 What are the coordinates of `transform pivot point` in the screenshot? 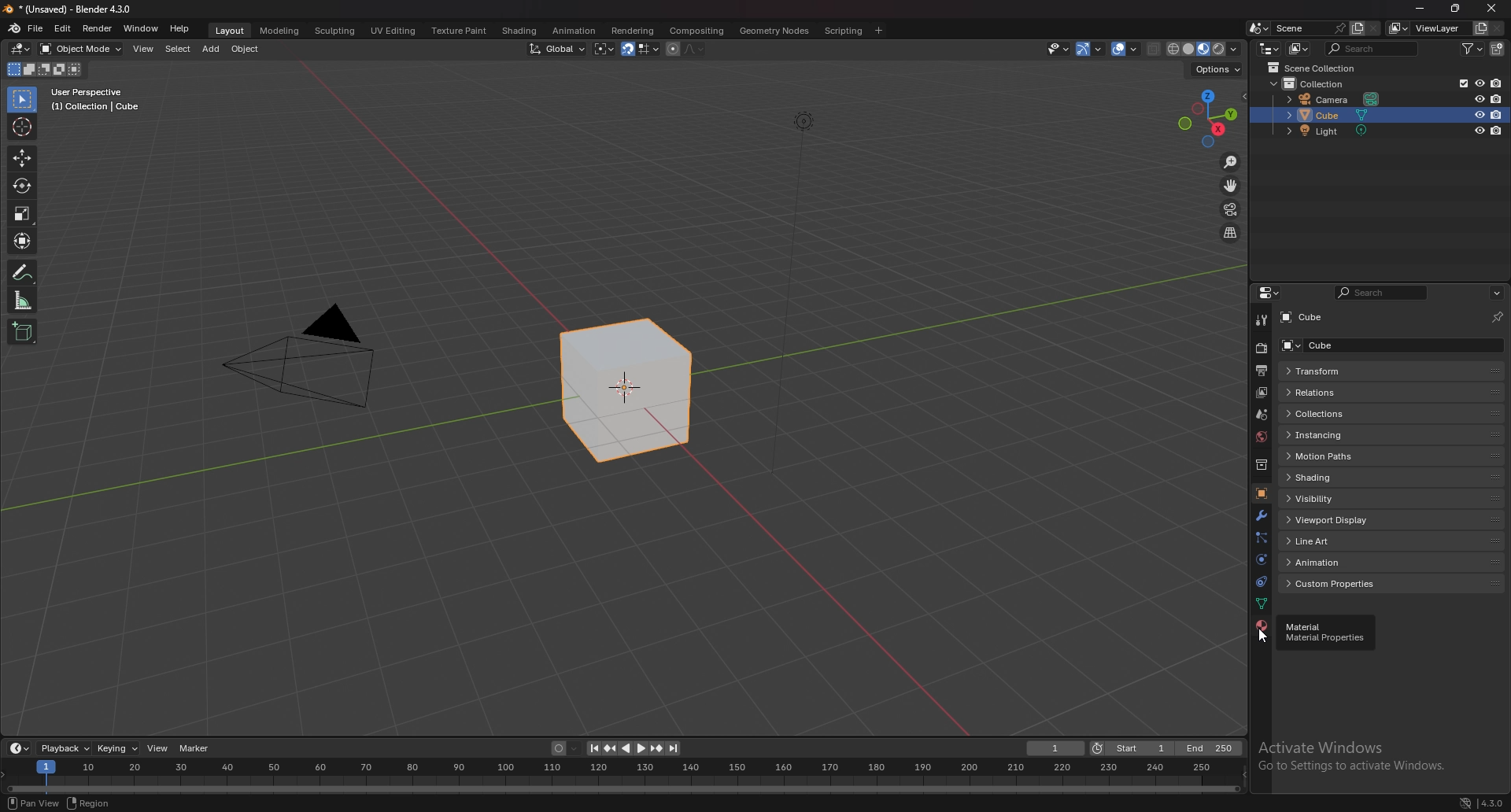 It's located at (604, 49).